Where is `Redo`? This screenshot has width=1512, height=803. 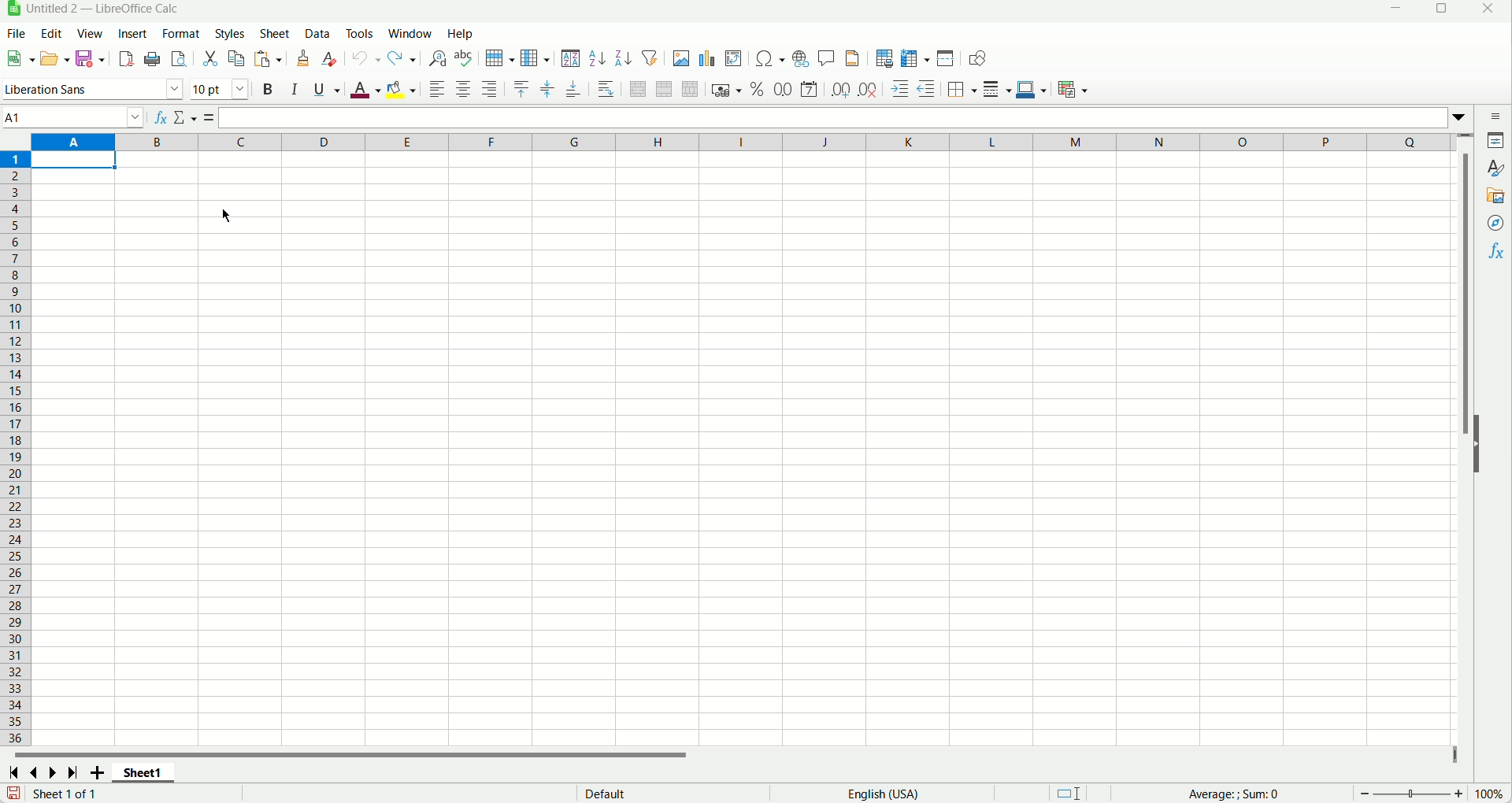 Redo is located at coordinates (402, 58).